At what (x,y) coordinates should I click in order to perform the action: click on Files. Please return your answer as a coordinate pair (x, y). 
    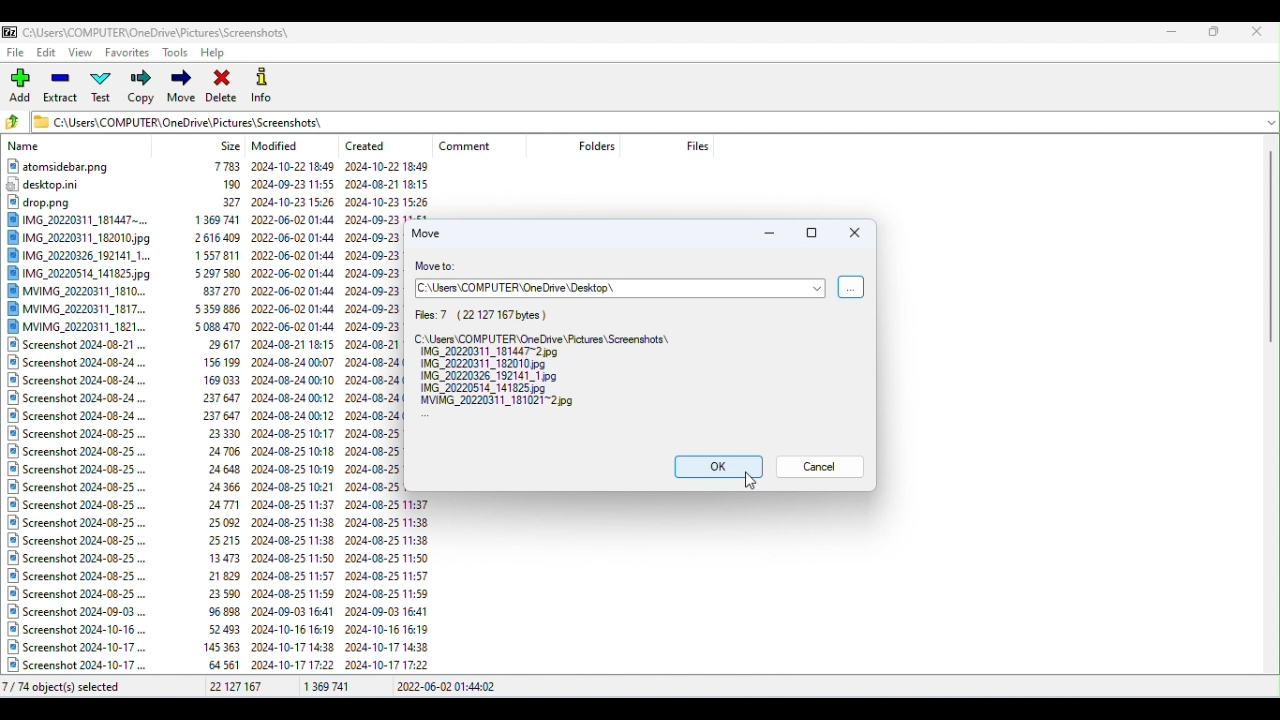
    Looking at the image, I should click on (697, 145).